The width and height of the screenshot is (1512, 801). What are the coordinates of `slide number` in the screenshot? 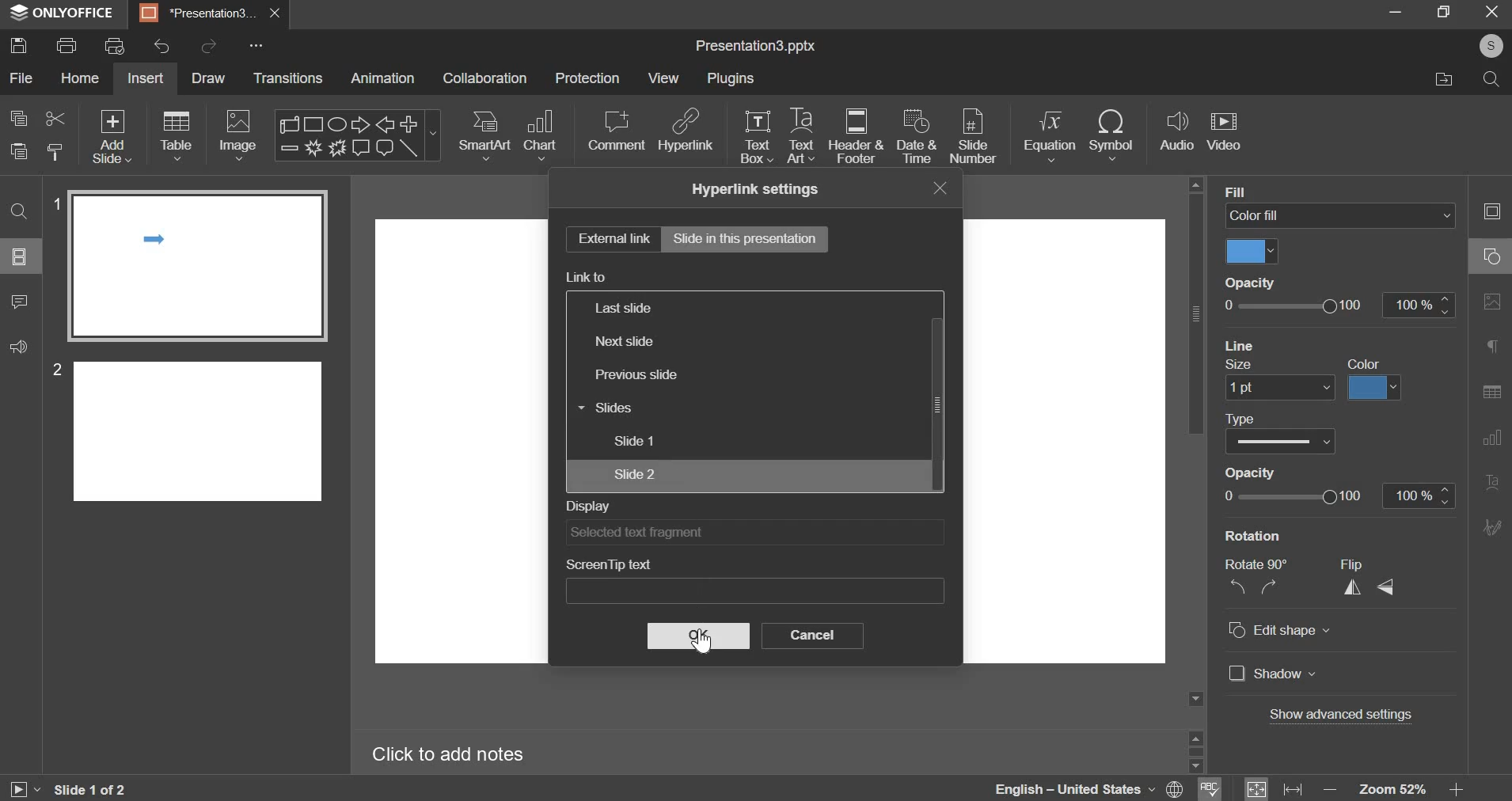 It's located at (53, 369).